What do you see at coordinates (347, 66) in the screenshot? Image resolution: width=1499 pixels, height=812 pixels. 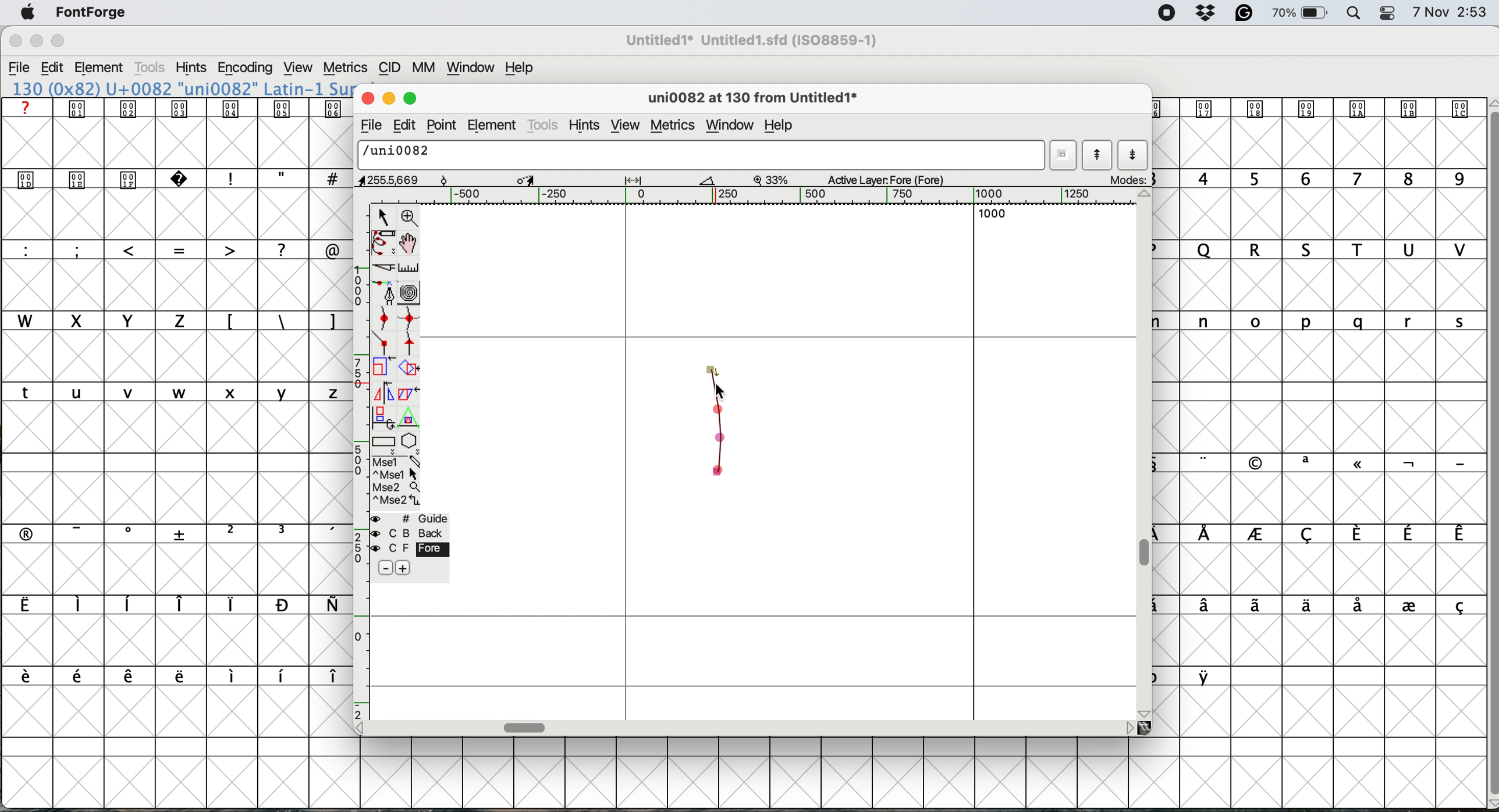 I see `metrics` at bounding box center [347, 66].